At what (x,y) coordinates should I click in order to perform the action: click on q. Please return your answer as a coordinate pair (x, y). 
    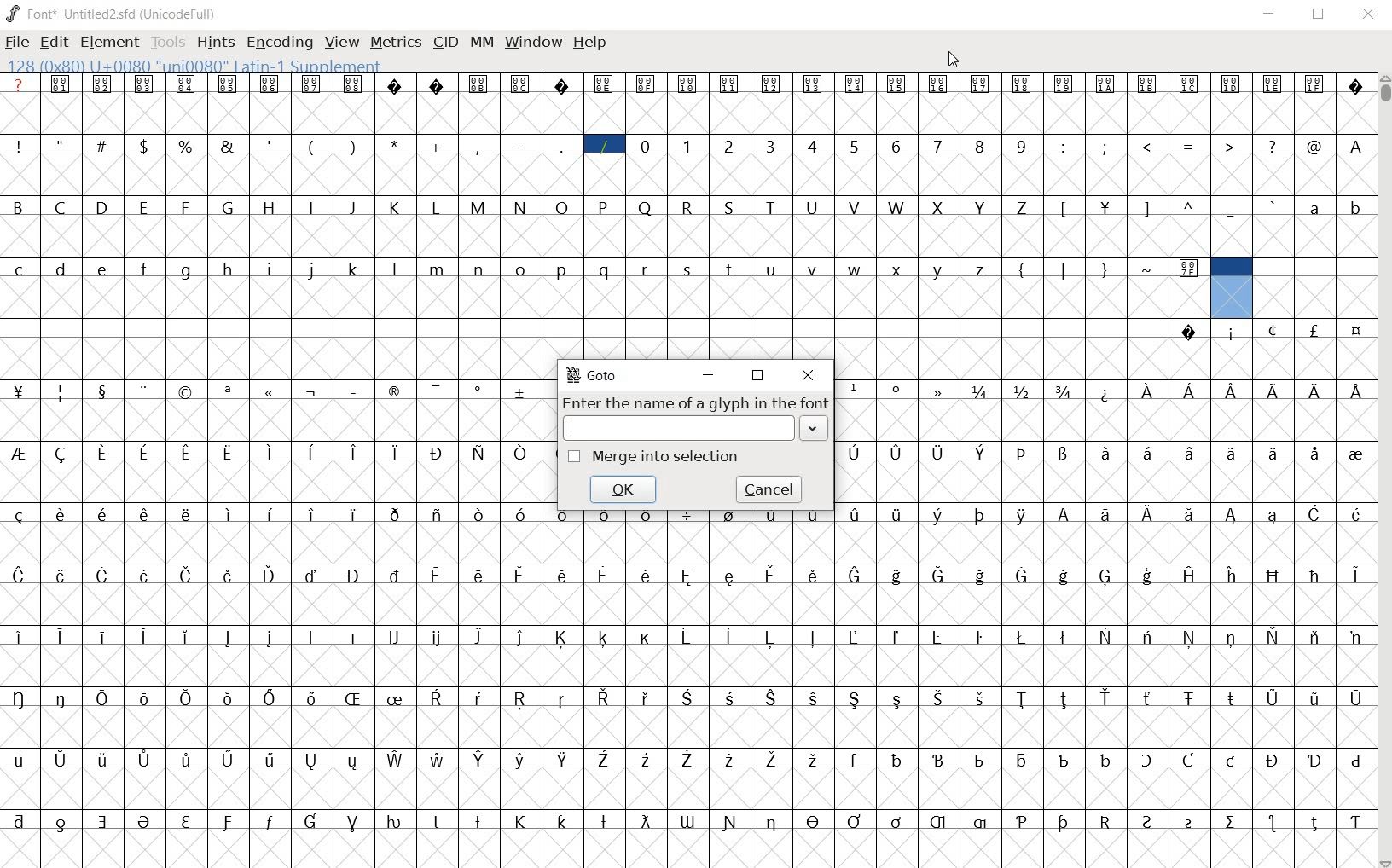
    Looking at the image, I should click on (606, 269).